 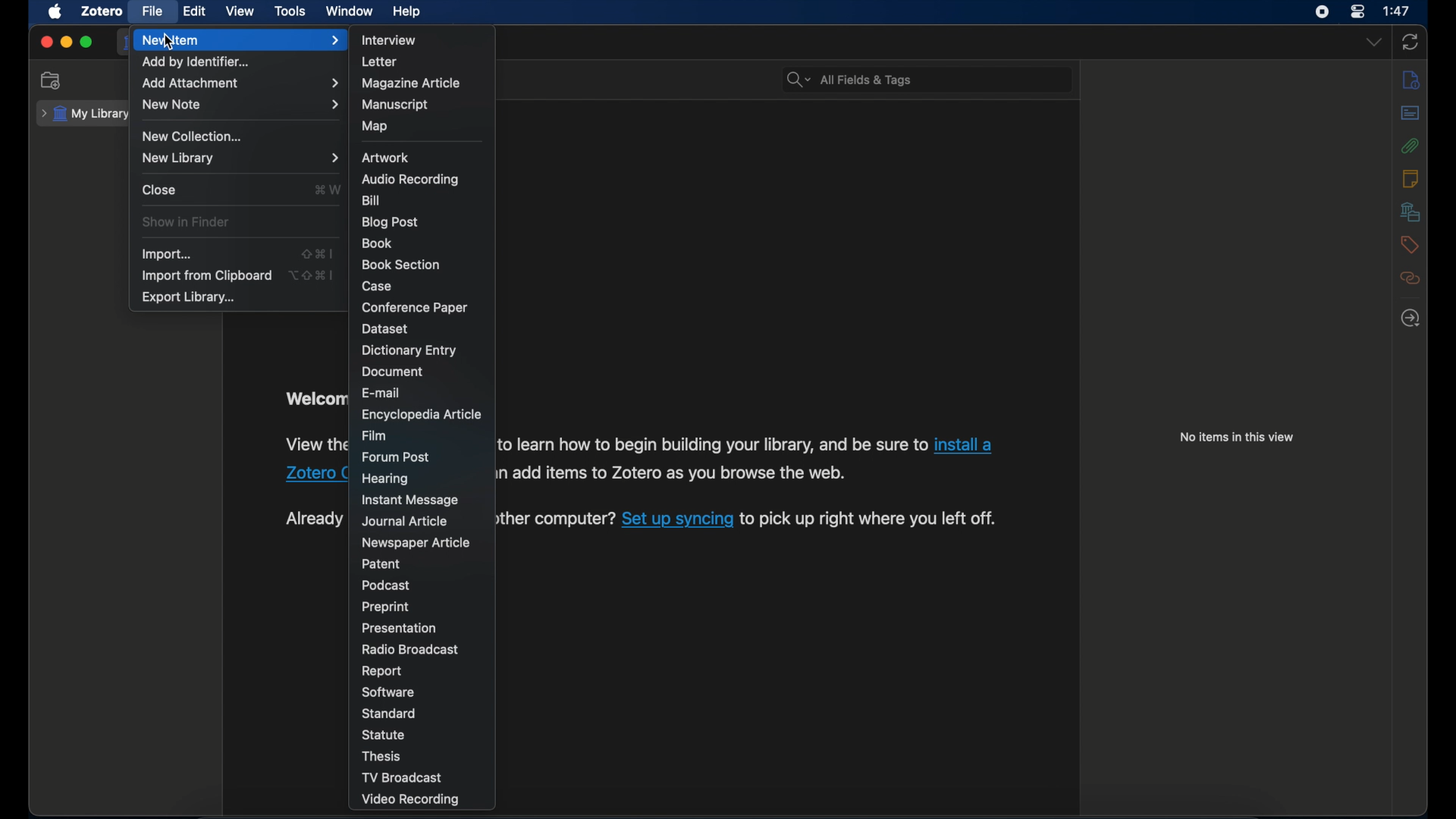 I want to click on maximize, so click(x=87, y=42).